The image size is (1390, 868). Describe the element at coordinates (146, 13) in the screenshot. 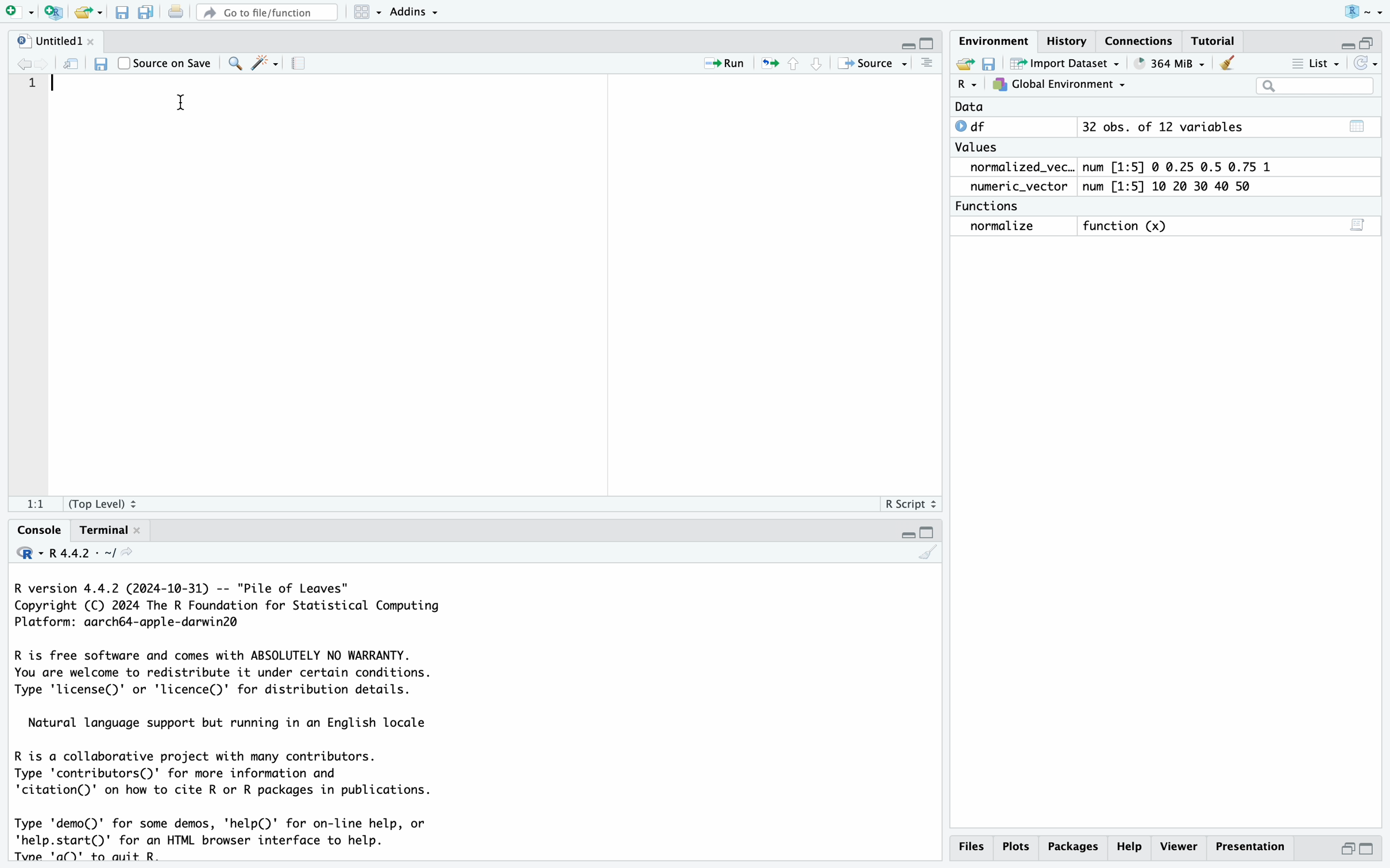

I see `Save As` at that location.